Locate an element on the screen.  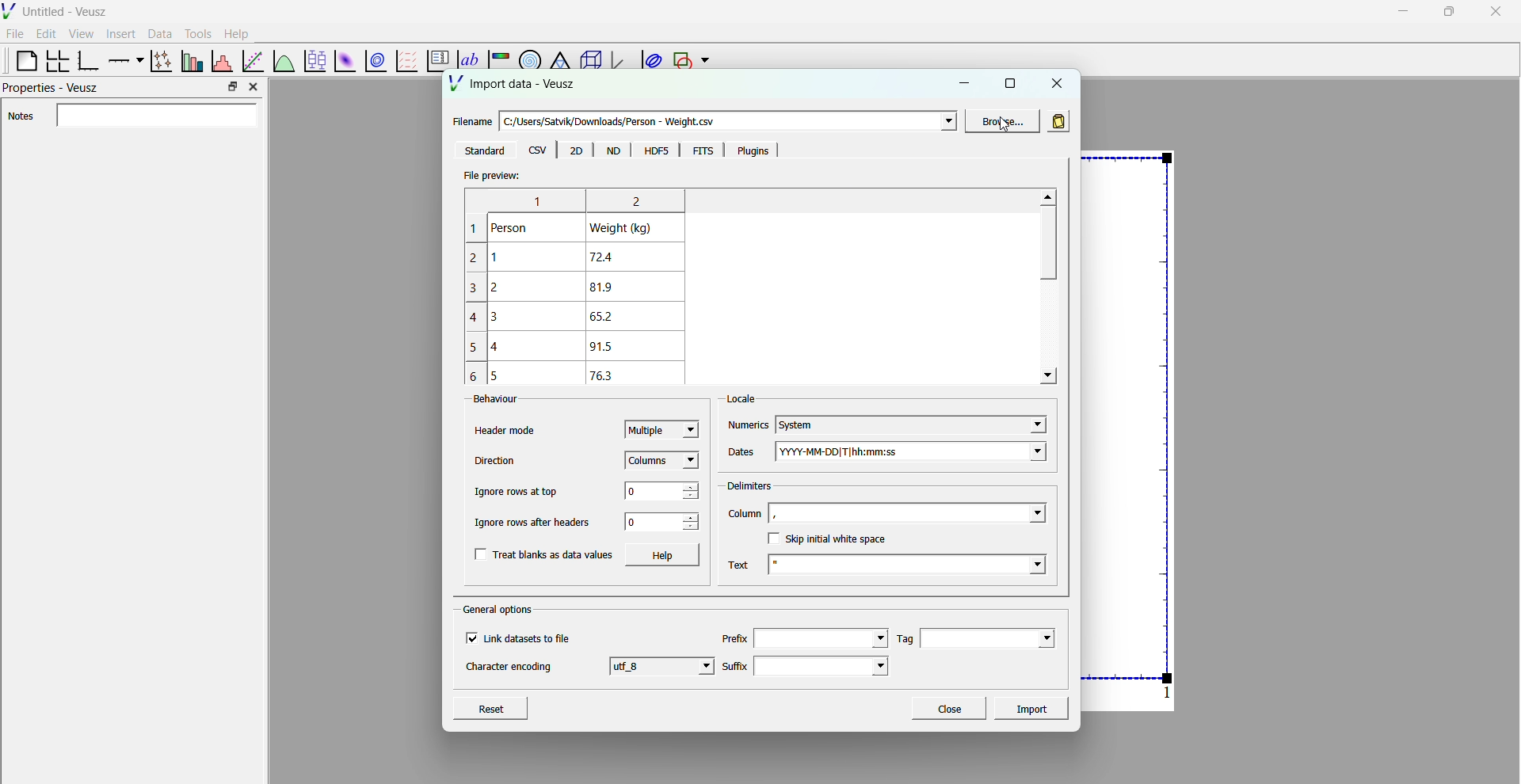
System - dropdown is located at coordinates (909, 418).